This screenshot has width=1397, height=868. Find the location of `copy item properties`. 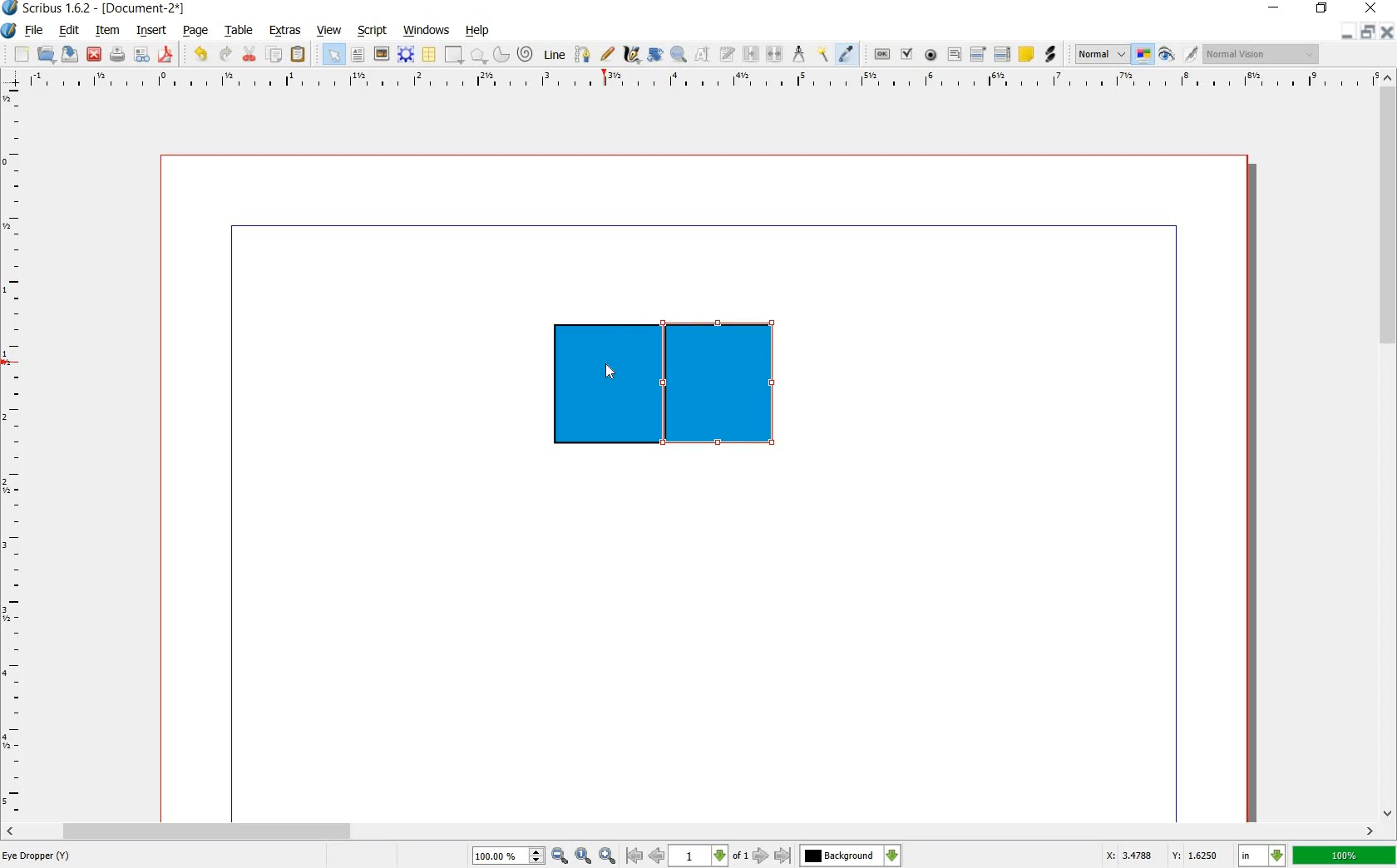

copy item properties is located at coordinates (821, 55).